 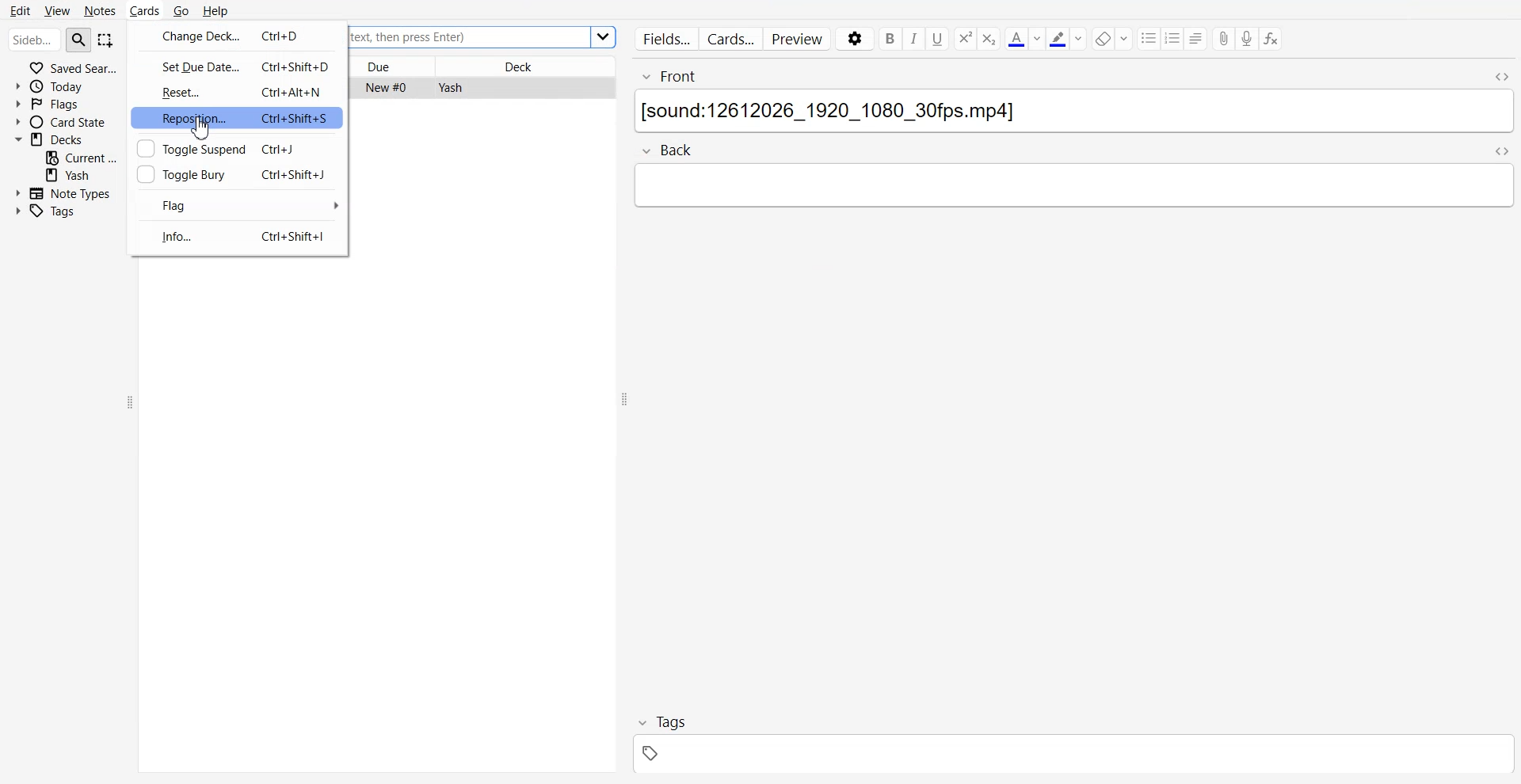 I want to click on Toggle HTML Editor, so click(x=1496, y=75).